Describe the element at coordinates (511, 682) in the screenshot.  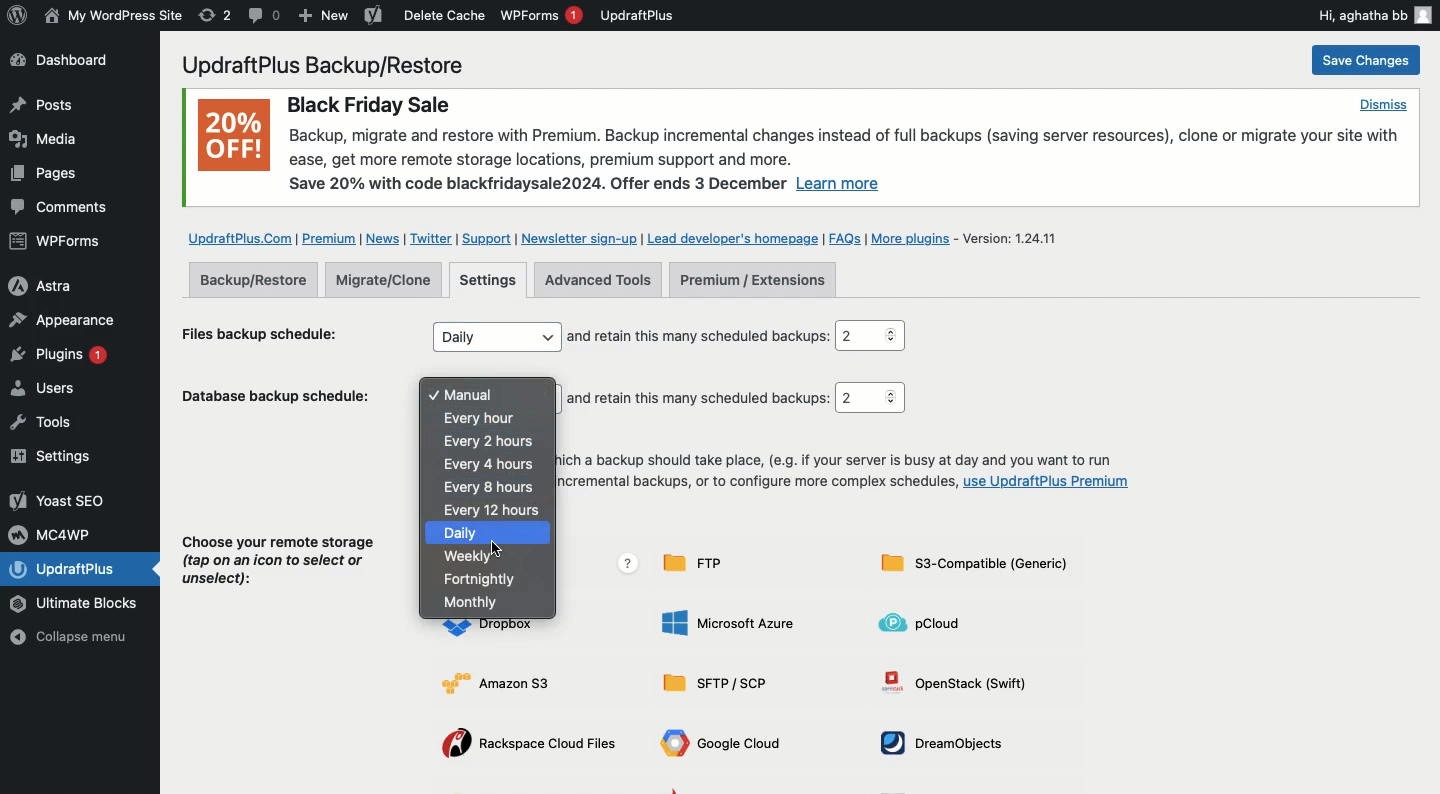
I see `Amazon S3` at that location.